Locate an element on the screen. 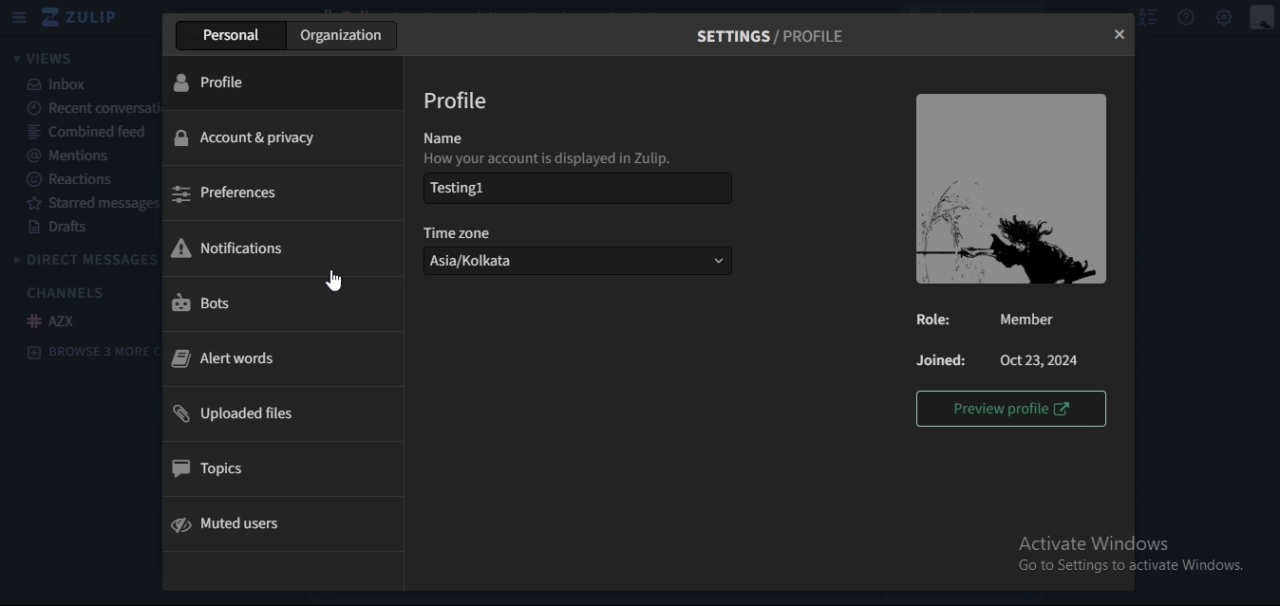 The height and width of the screenshot is (606, 1280). bots is located at coordinates (206, 303).